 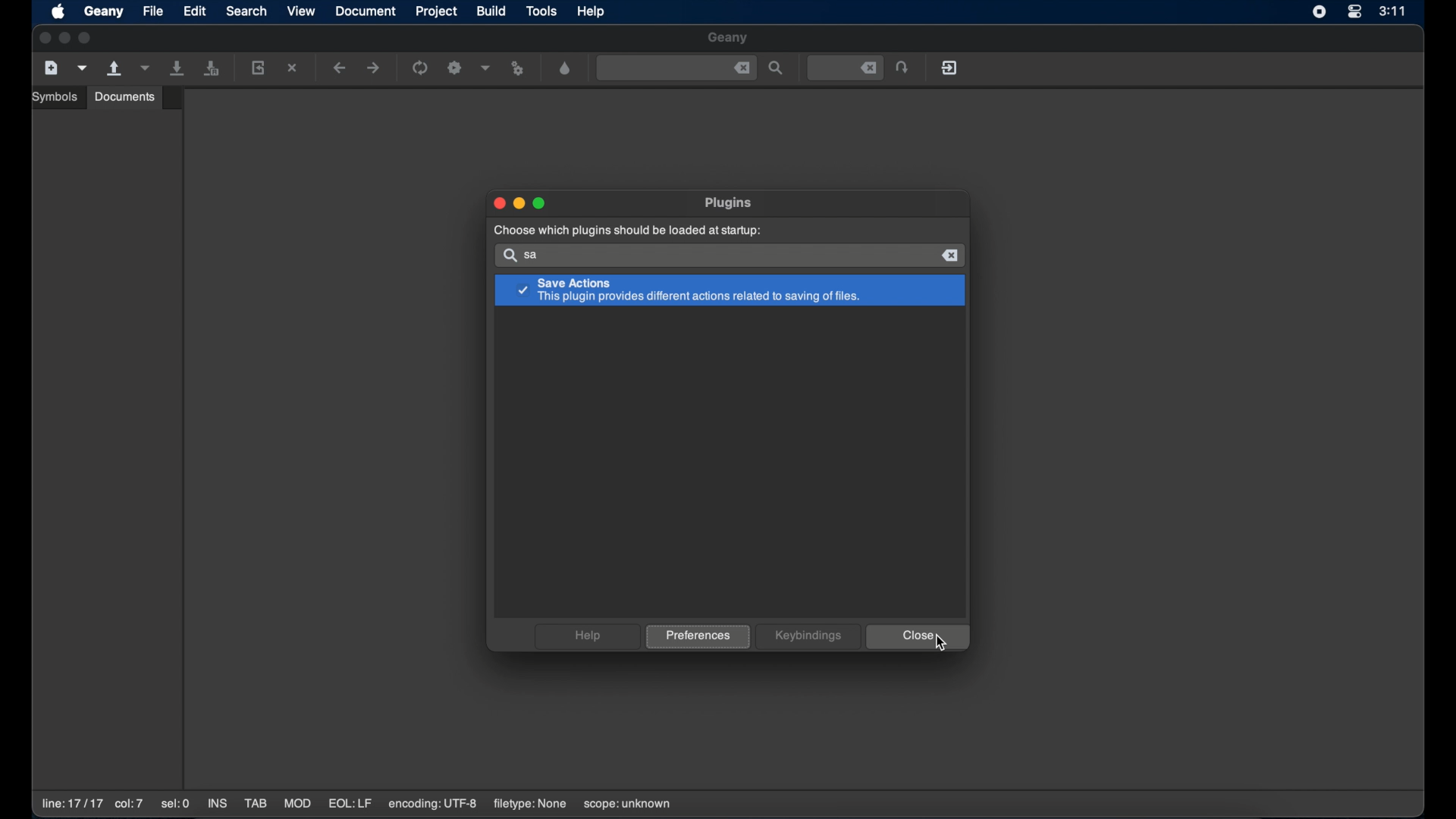 I want to click on 3:11, so click(x=1393, y=11).